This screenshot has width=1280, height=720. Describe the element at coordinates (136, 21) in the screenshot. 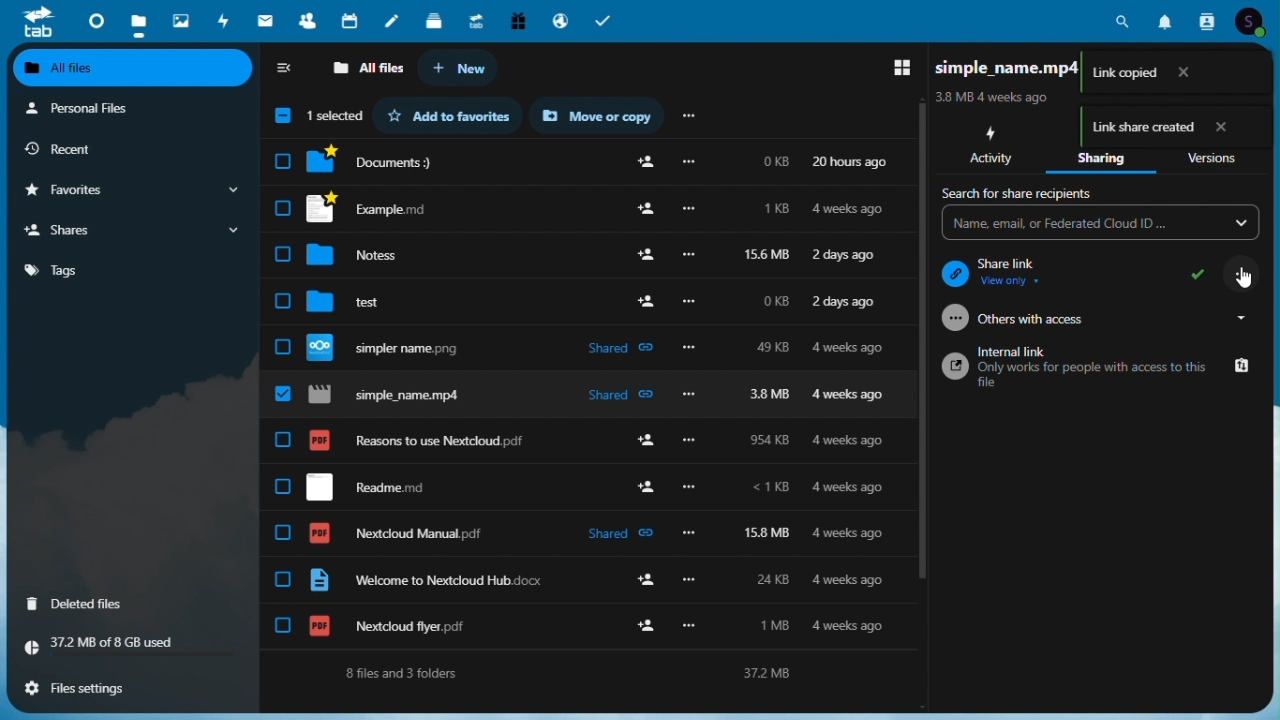

I see `Files` at that location.